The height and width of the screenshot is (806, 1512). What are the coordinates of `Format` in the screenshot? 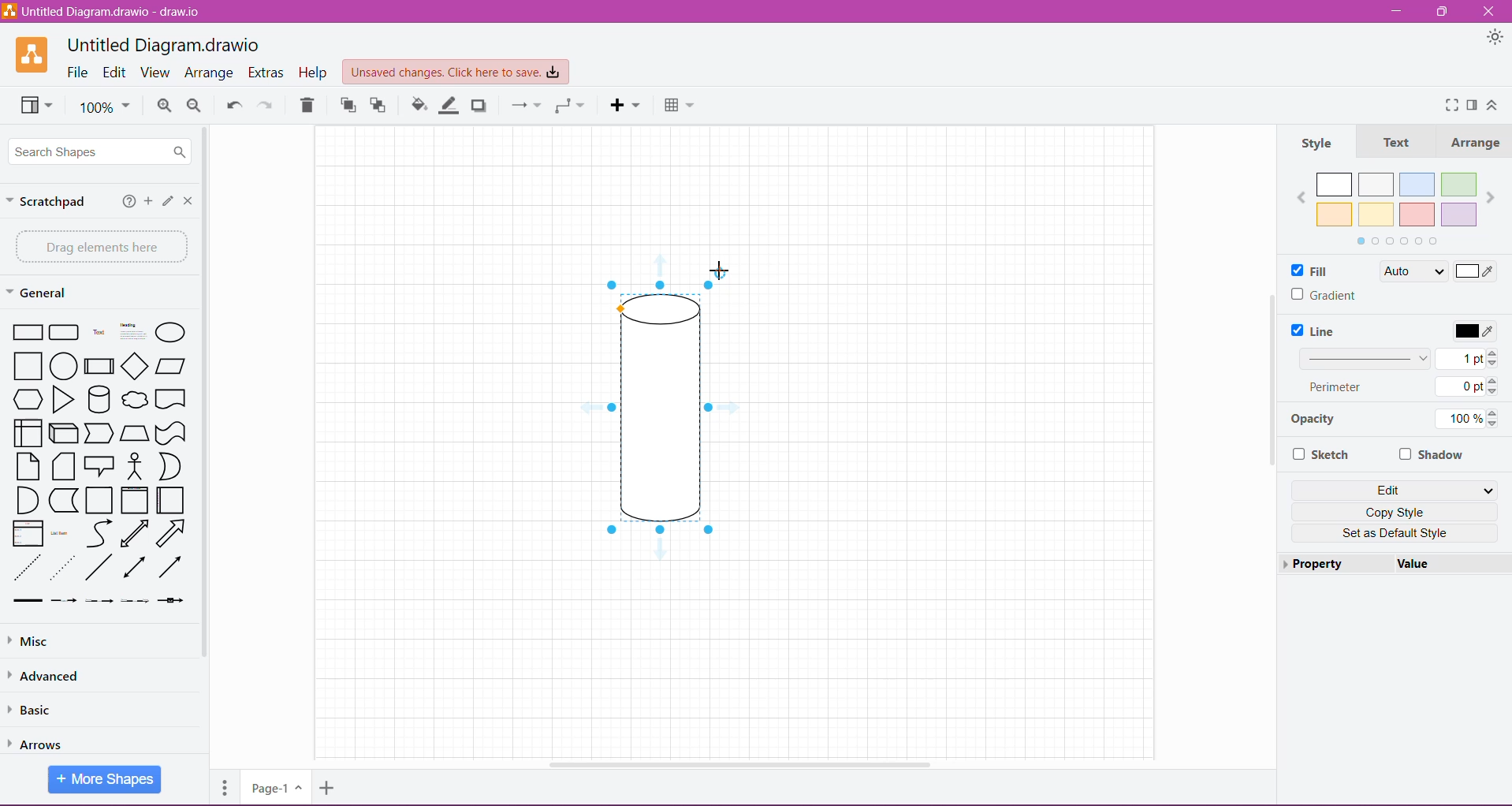 It's located at (1473, 106).